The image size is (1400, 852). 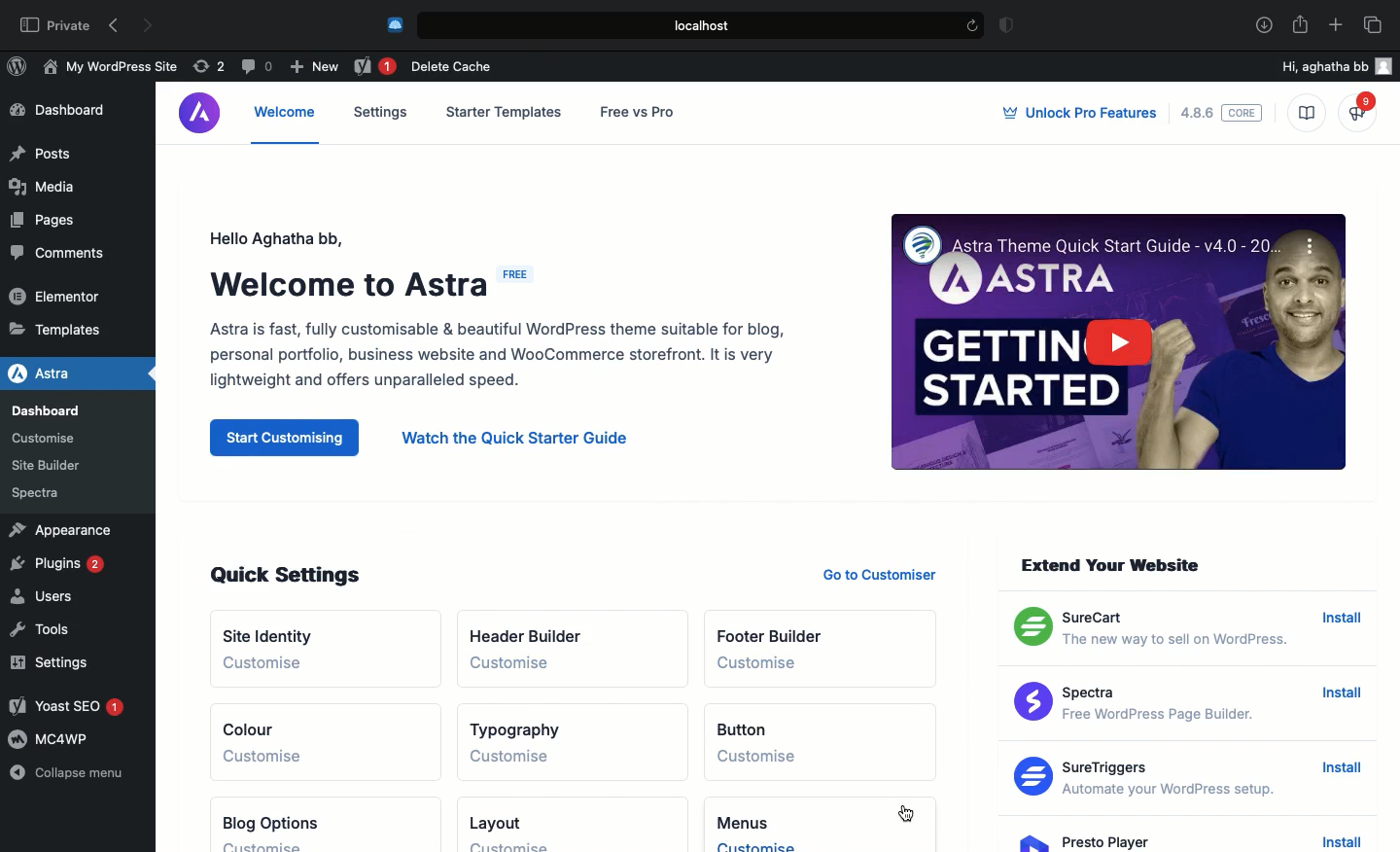 I want to click on Customize, so click(x=759, y=665).